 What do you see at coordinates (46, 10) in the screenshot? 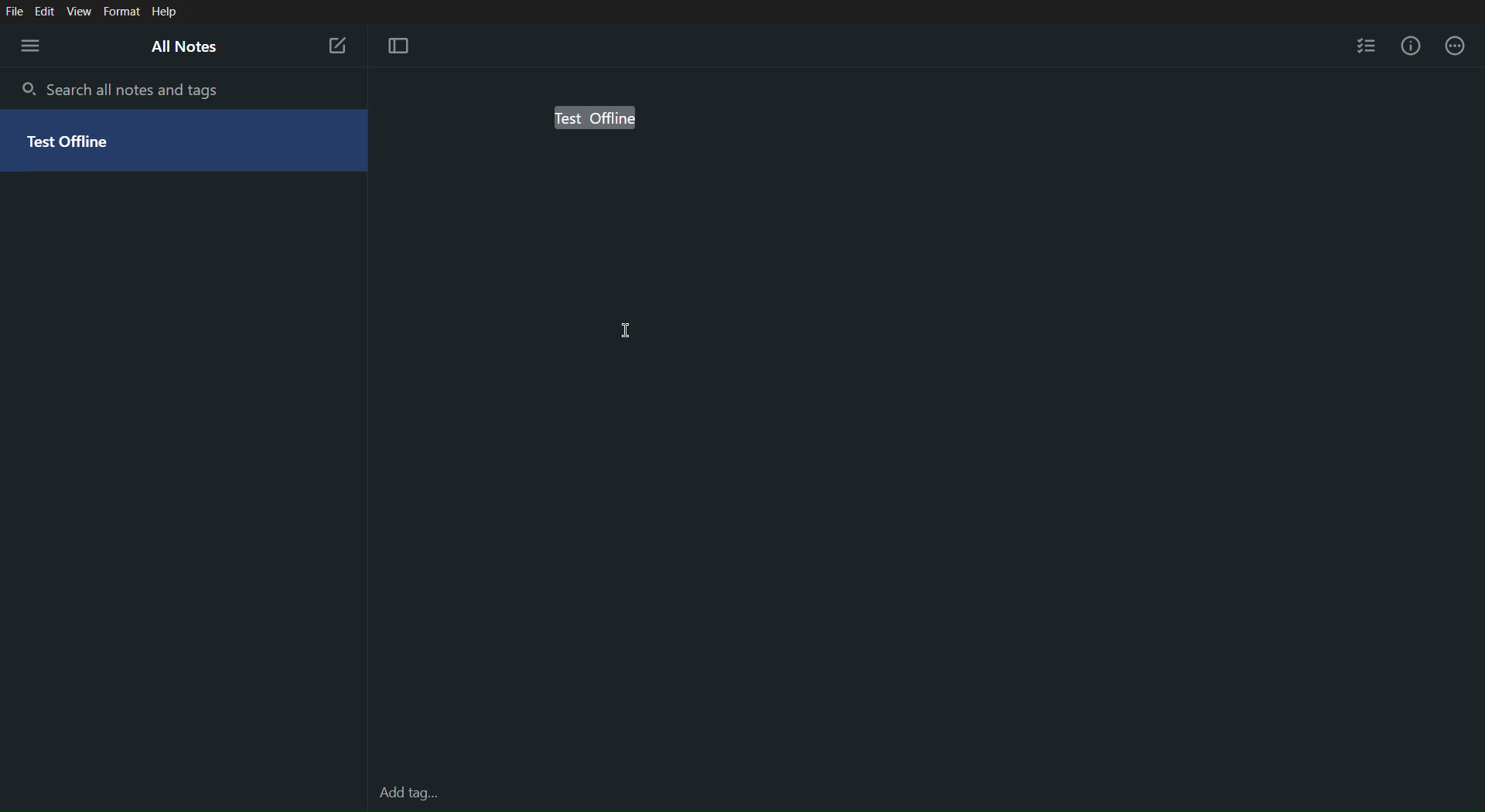
I see `Edit` at bounding box center [46, 10].